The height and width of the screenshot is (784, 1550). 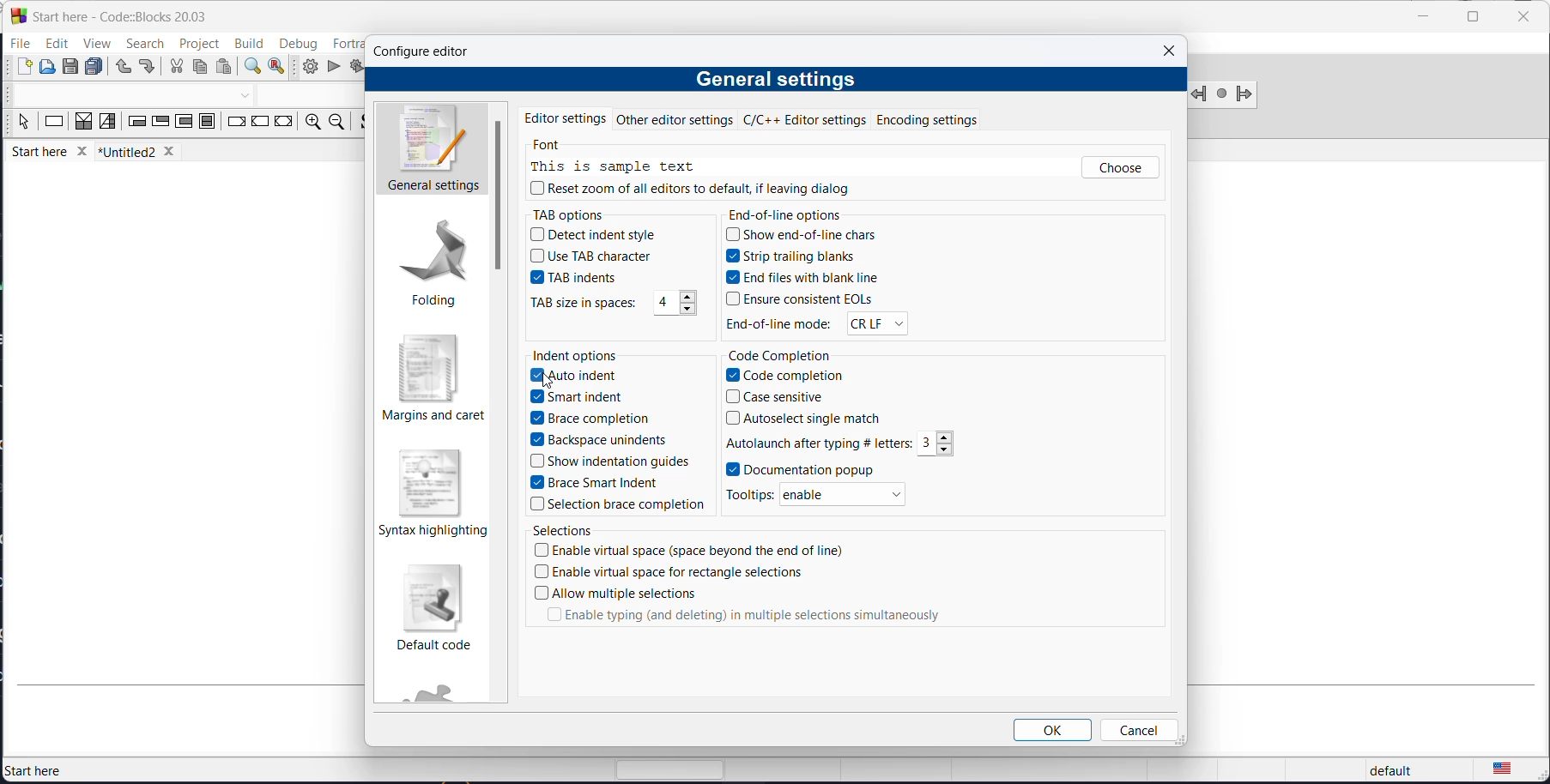 What do you see at coordinates (590, 419) in the screenshot?
I see `brace completion checkbox` at bounding box center [590, 419].